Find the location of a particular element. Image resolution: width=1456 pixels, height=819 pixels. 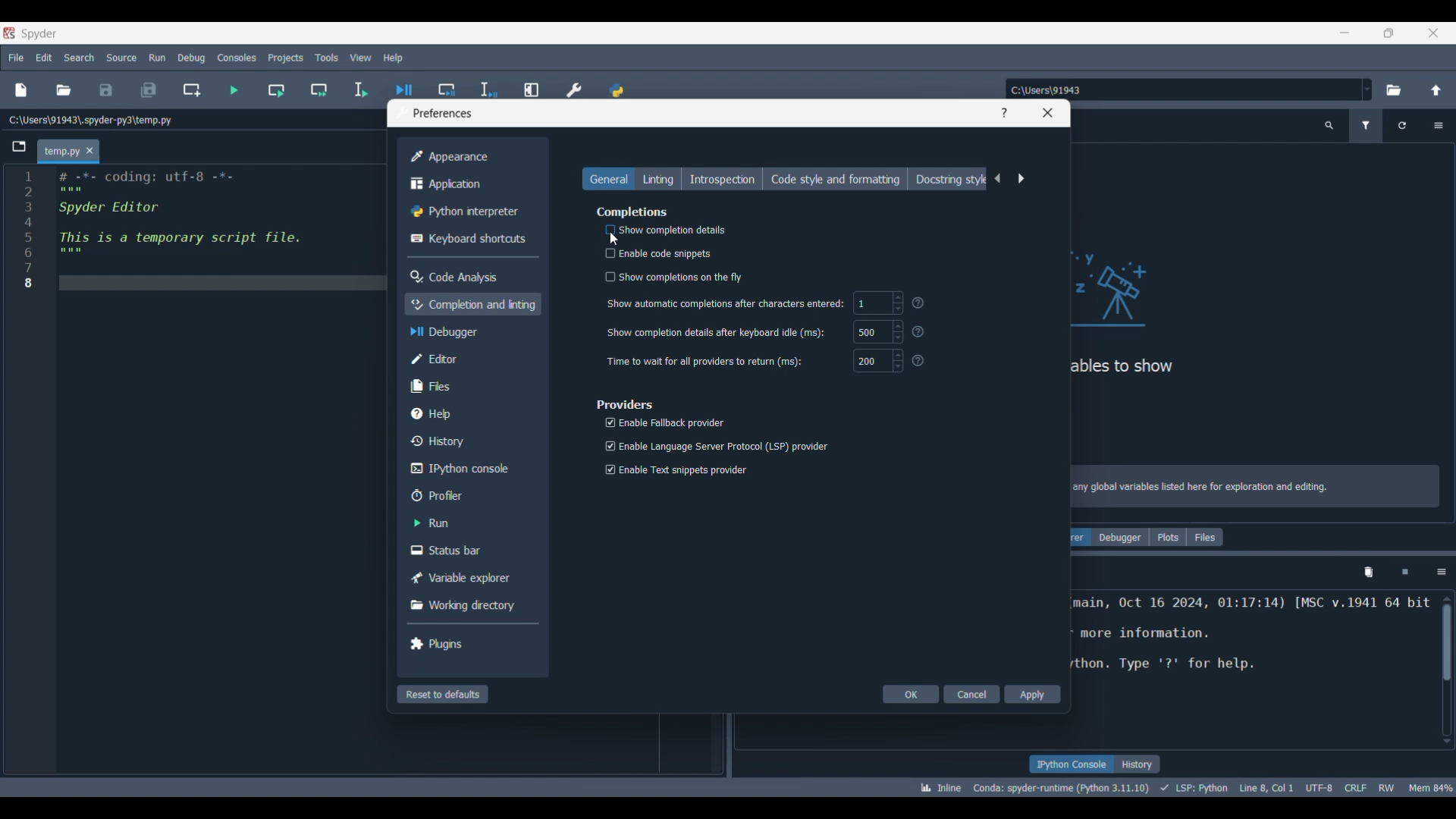

Help menu is located at coordinates (393, 58).